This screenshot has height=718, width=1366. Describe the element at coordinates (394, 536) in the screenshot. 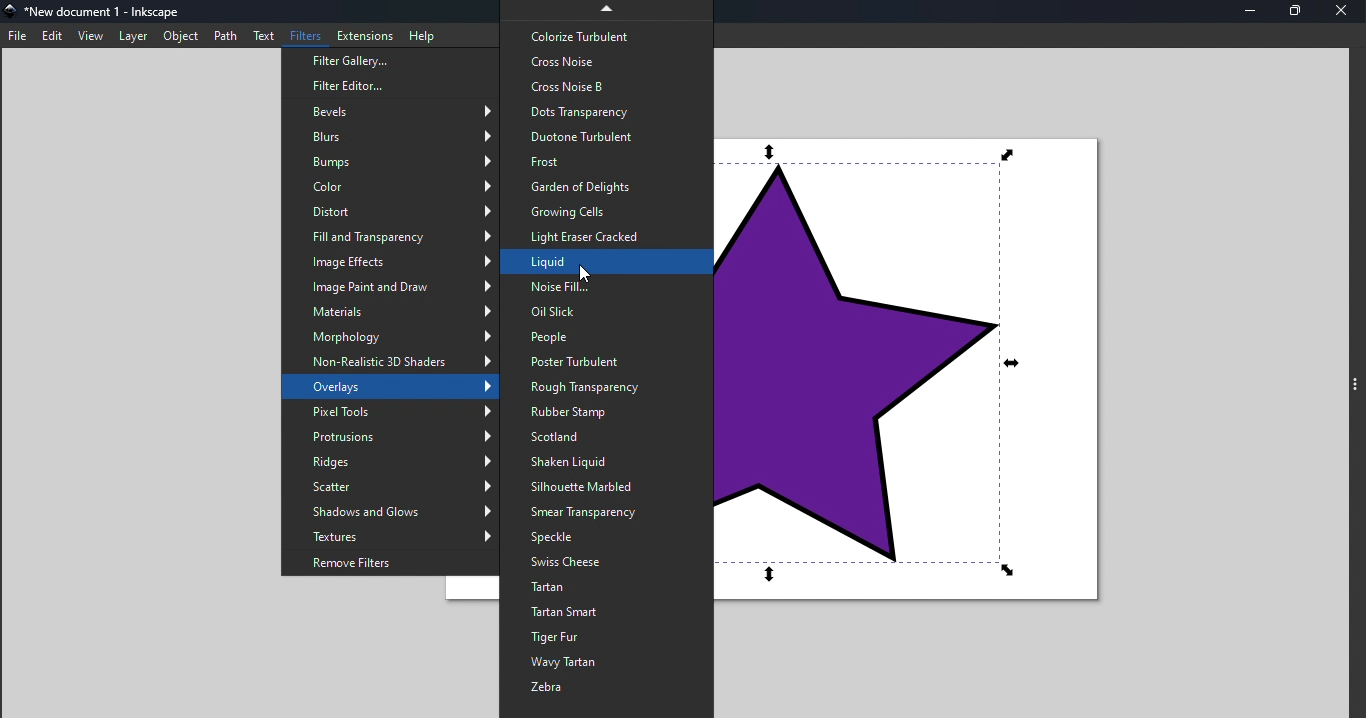

I see `Textures` at that location.